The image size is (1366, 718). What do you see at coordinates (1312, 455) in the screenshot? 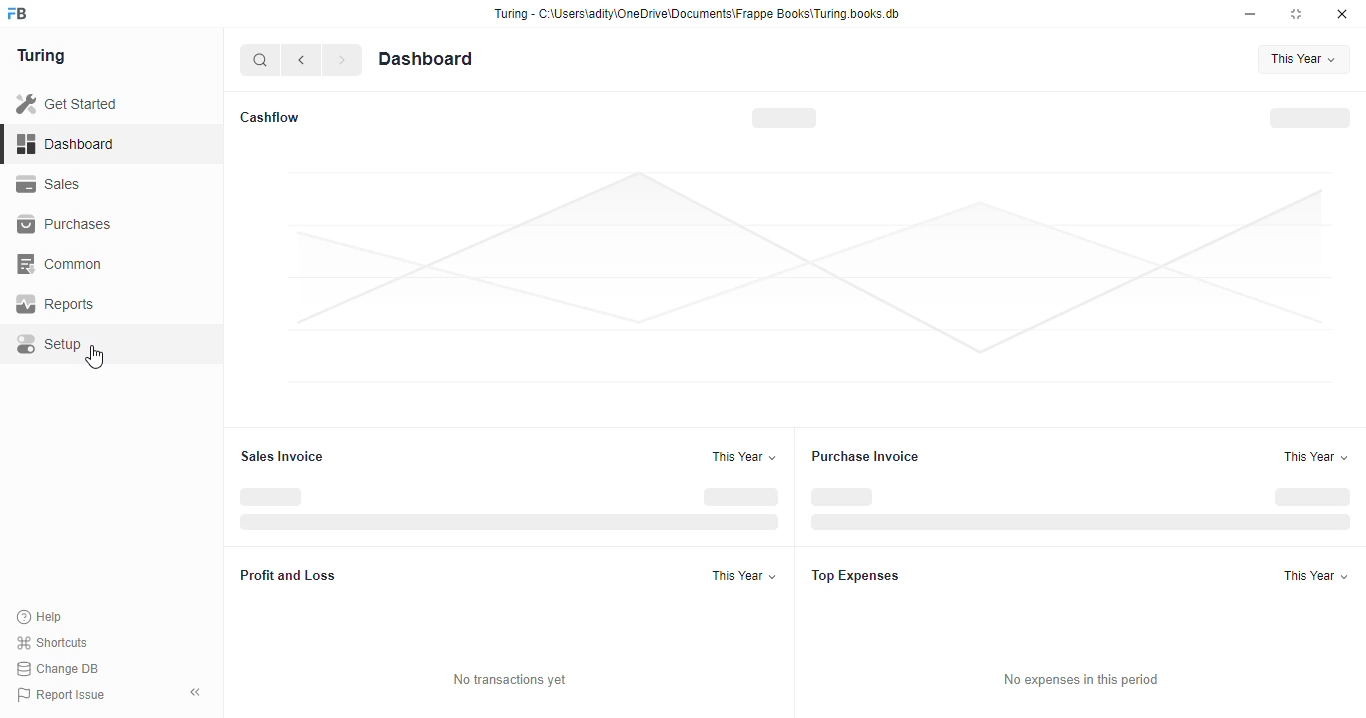
I see `This Year` at bounding box center [1312, 455].